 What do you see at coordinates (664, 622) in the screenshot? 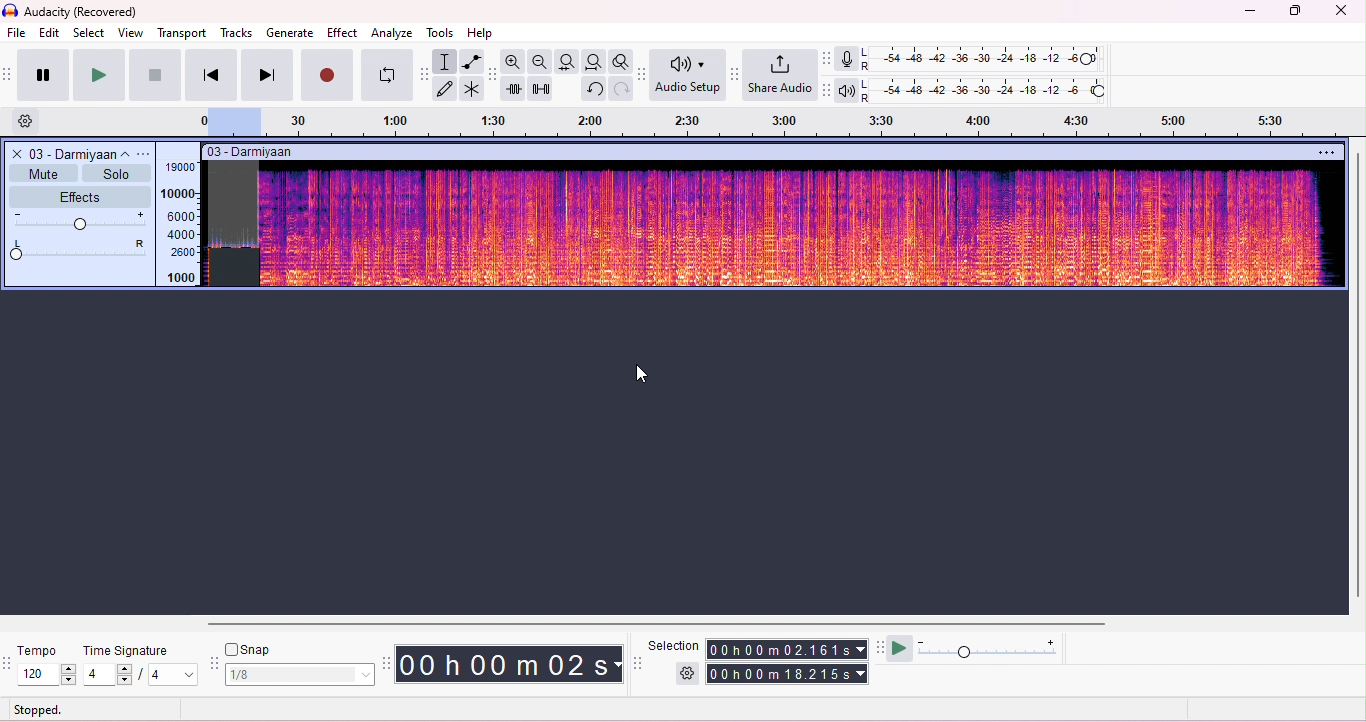
I see `horizontal scroll bar` at bounding box center [664, 622].